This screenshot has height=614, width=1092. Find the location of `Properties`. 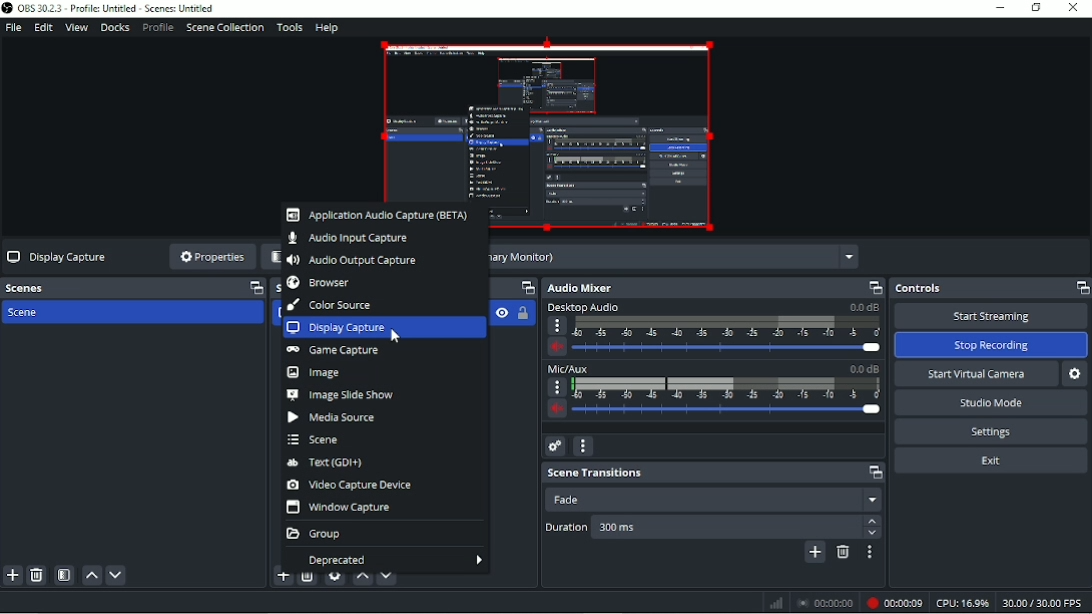

Properties is located at coordinates (211, 258).